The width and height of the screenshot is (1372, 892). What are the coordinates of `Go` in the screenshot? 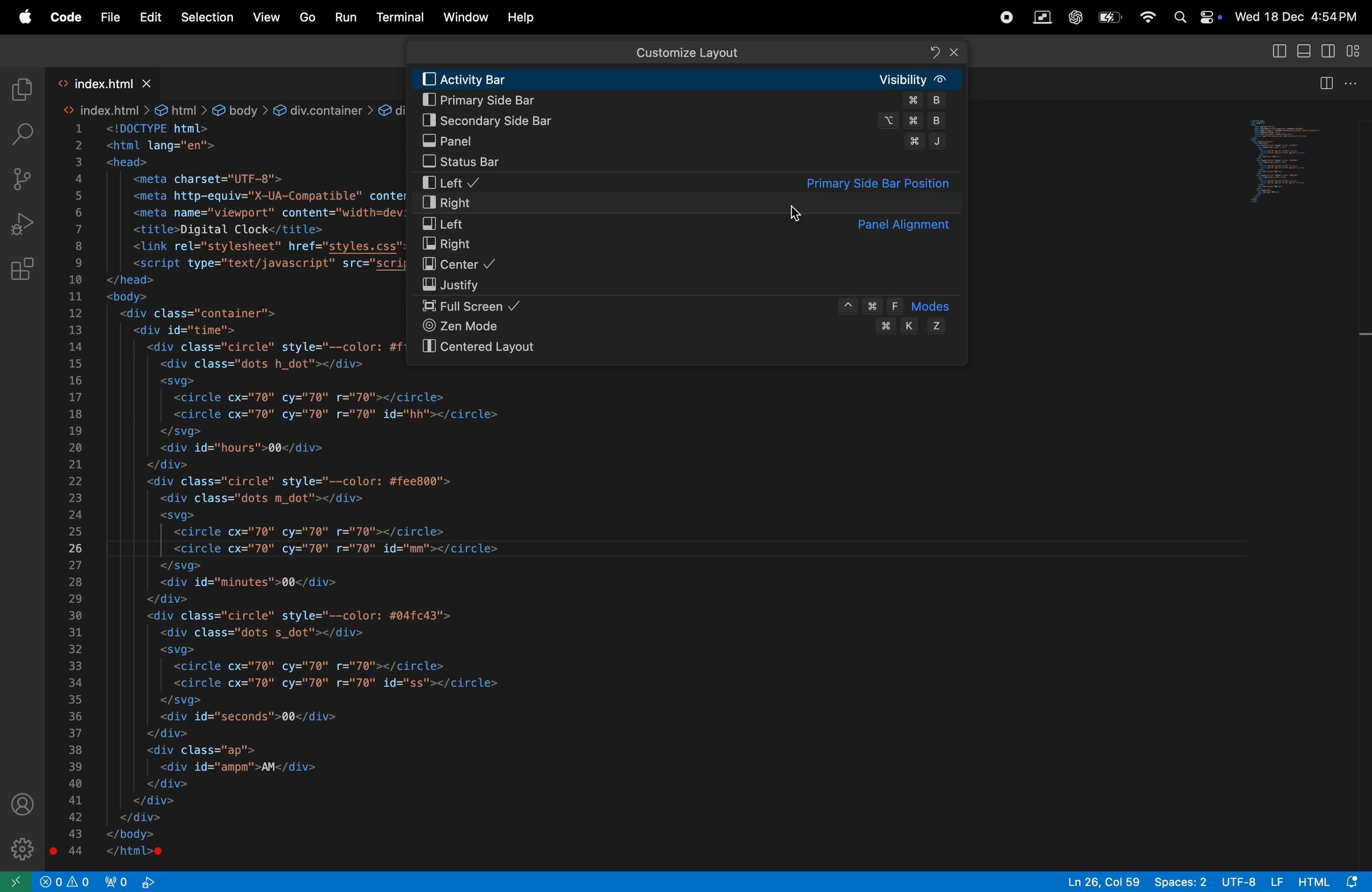 It's located at (306, 18).